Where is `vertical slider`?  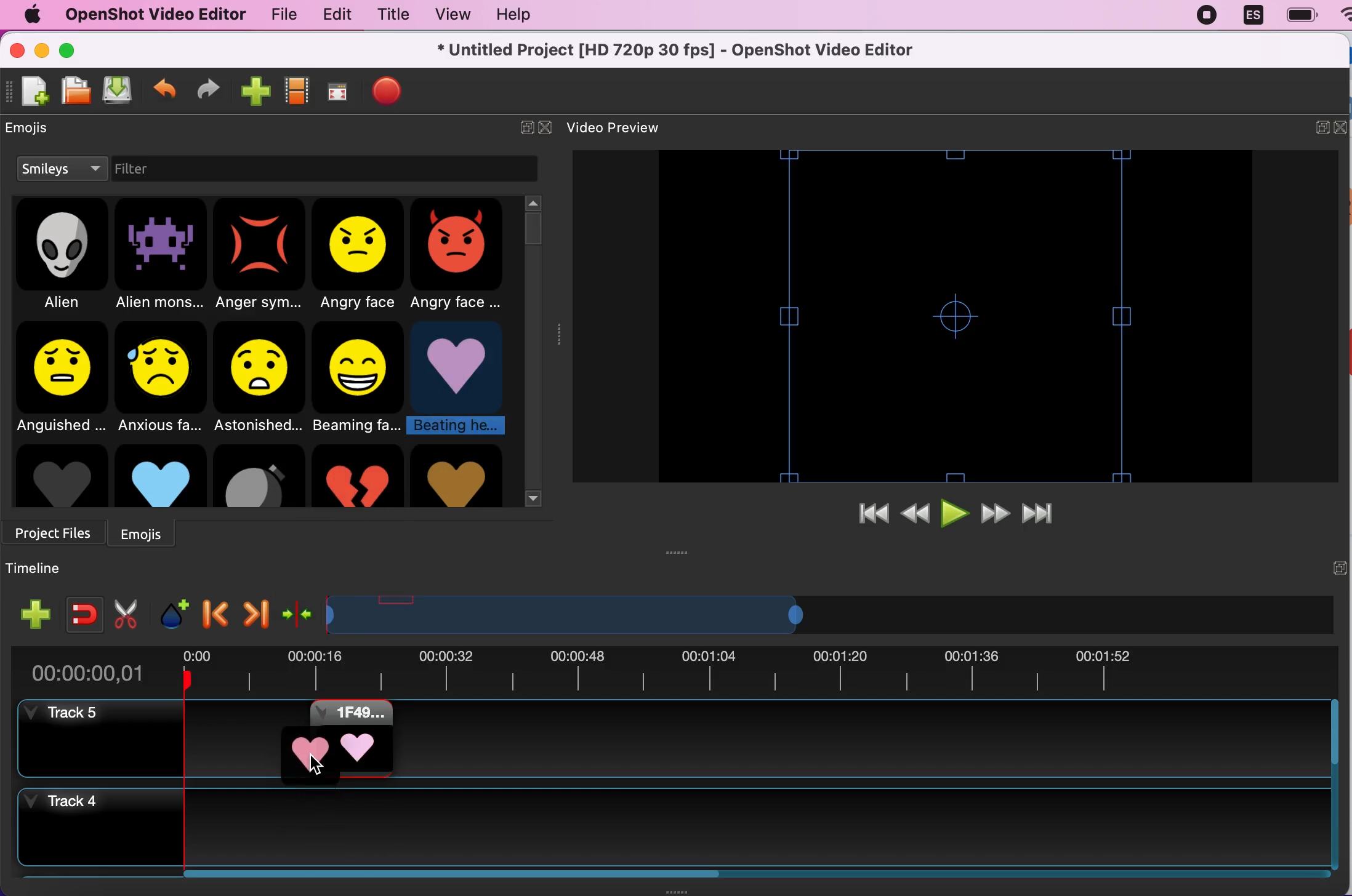 vertical slider is located at coordinates (533, 226).